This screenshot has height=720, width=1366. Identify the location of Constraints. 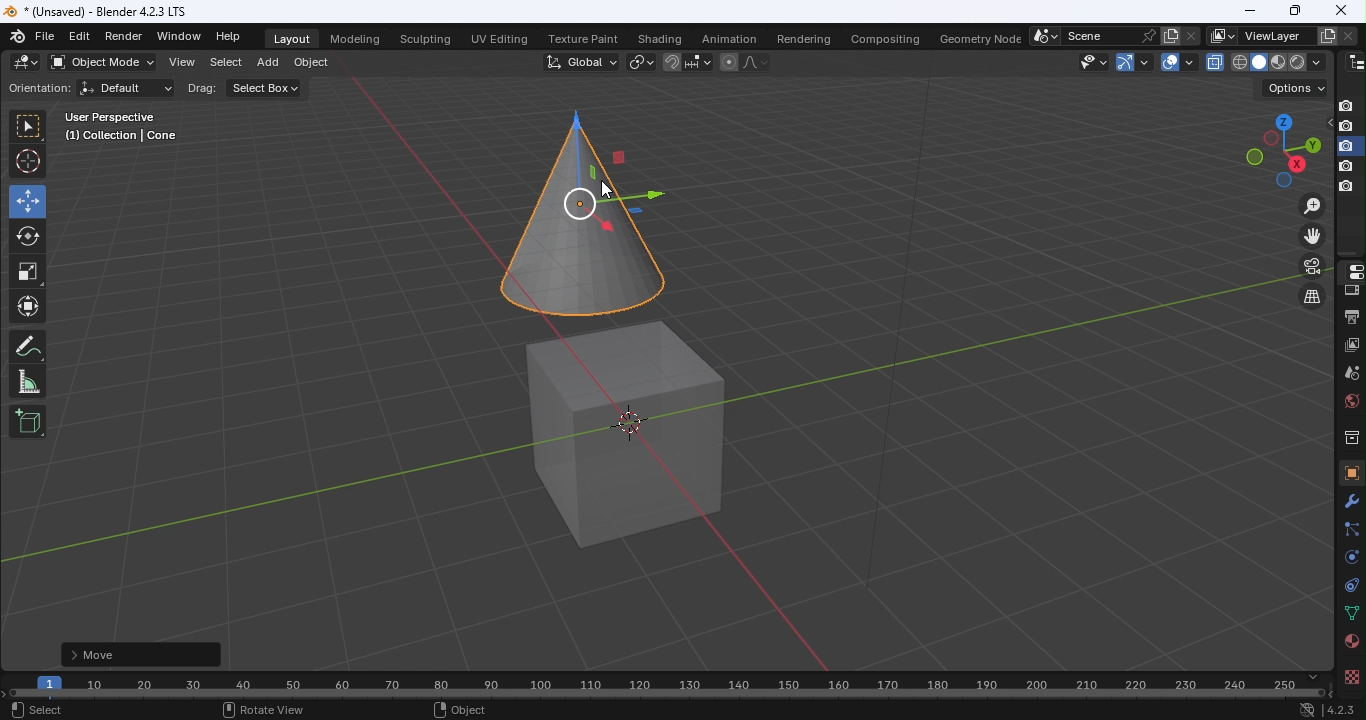
(1348, 584).